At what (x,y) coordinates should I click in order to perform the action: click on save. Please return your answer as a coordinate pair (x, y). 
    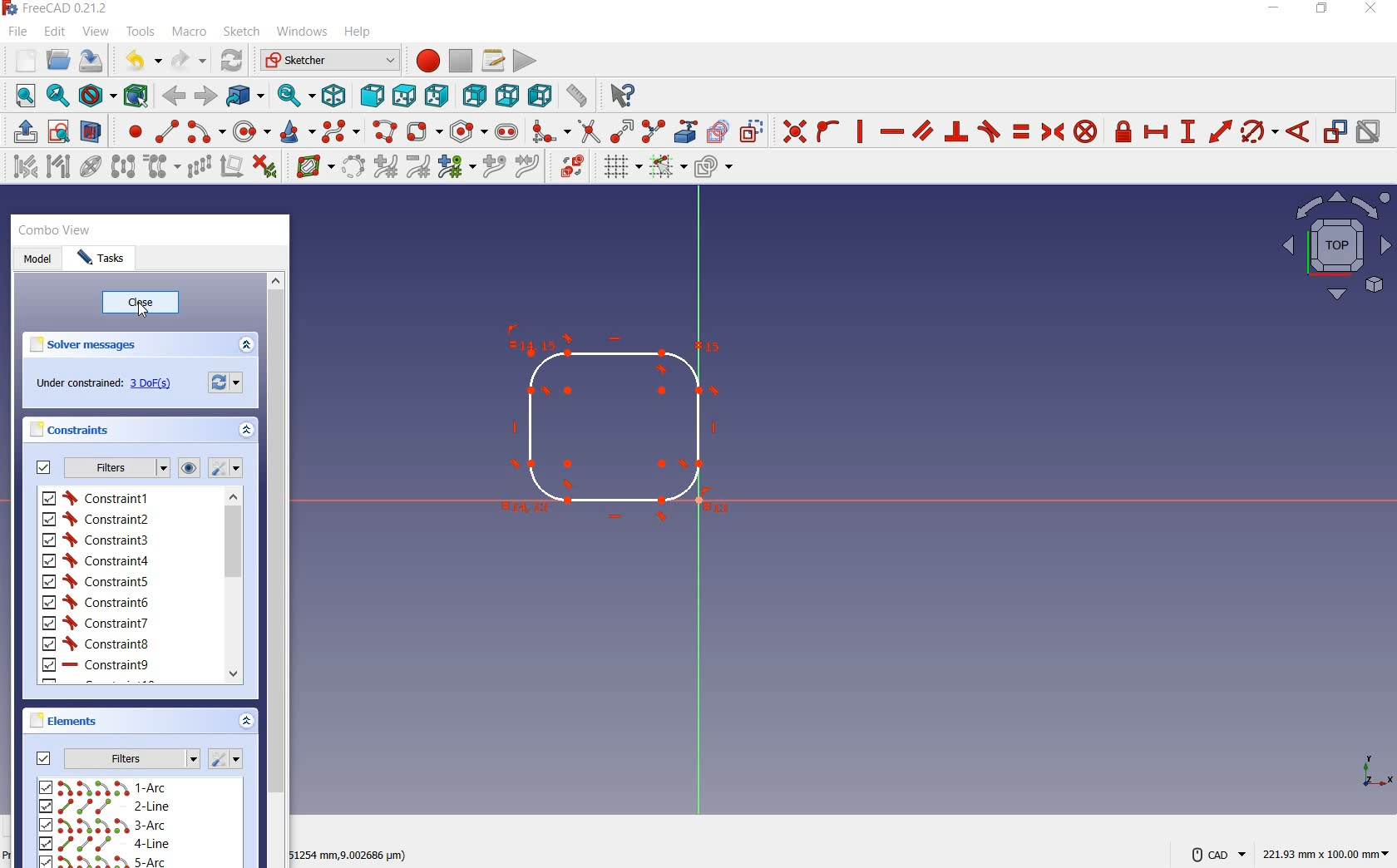
    Looking at the image, I should click on (94, 61).